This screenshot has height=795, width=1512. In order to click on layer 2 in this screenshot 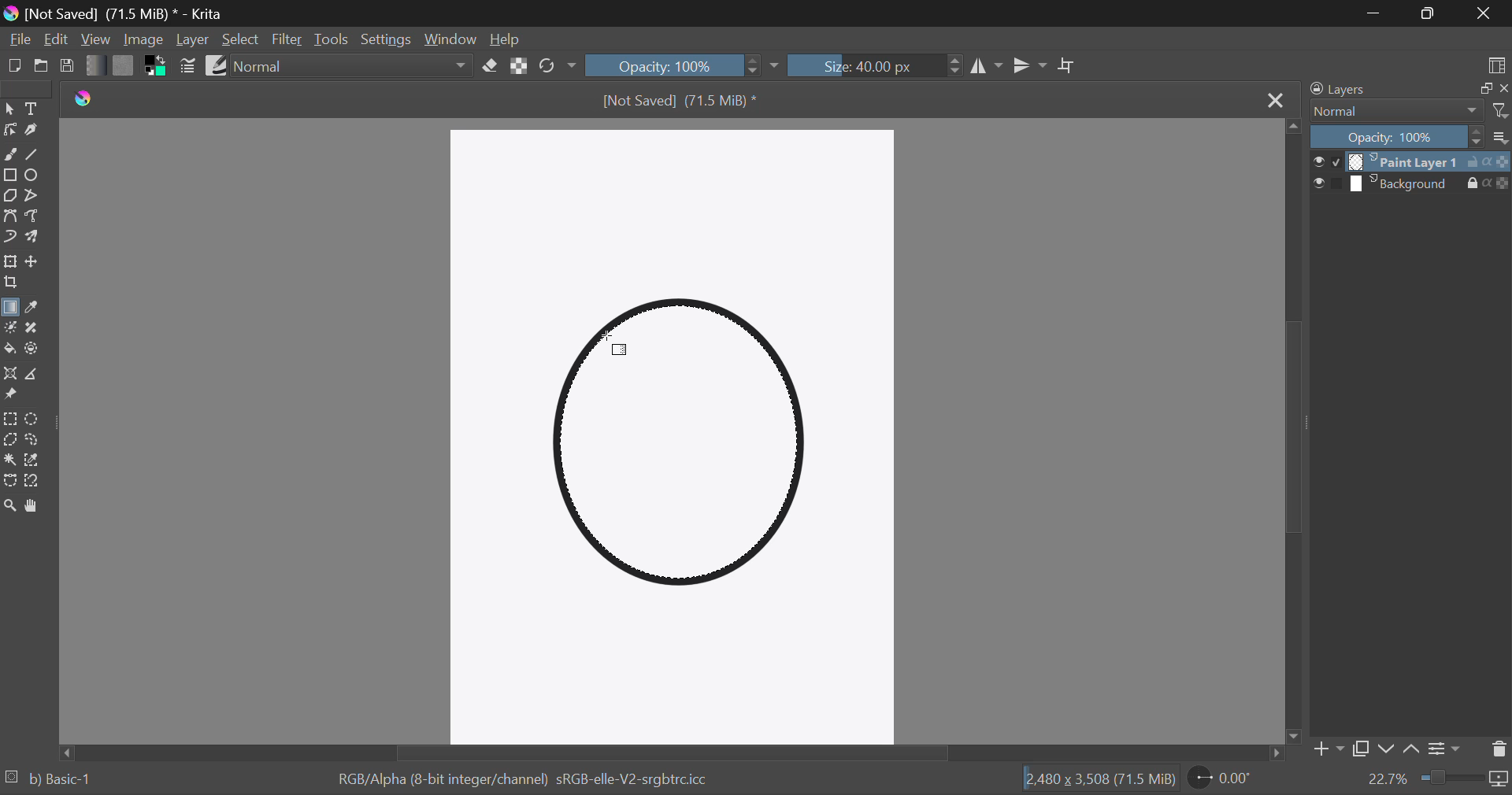, I will do `click(1405, 184)`.